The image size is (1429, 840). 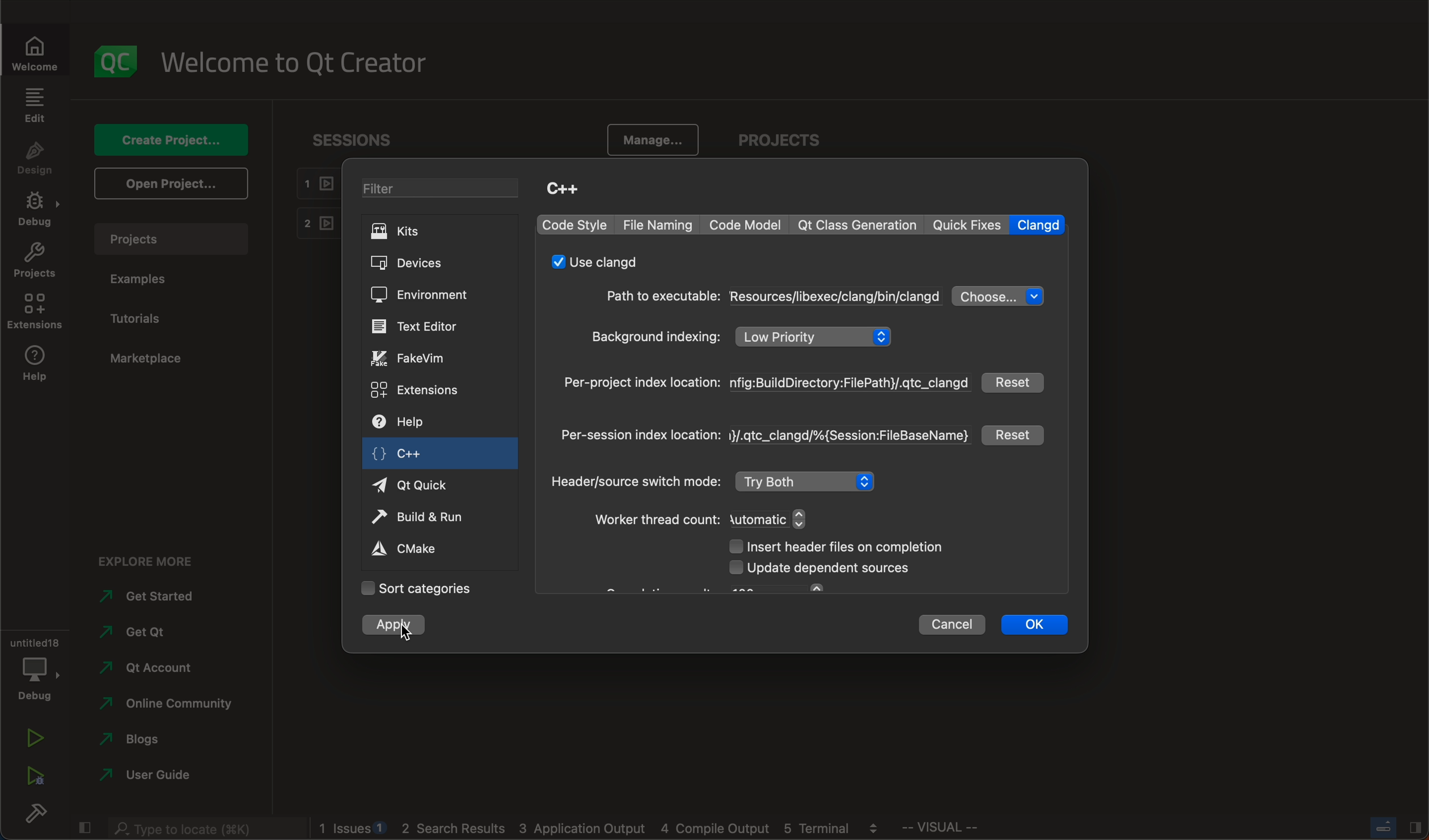 What do you see at coordinates (1043, 624) in the screenshot?
I see `ok` at bounding box center [1043, 624].